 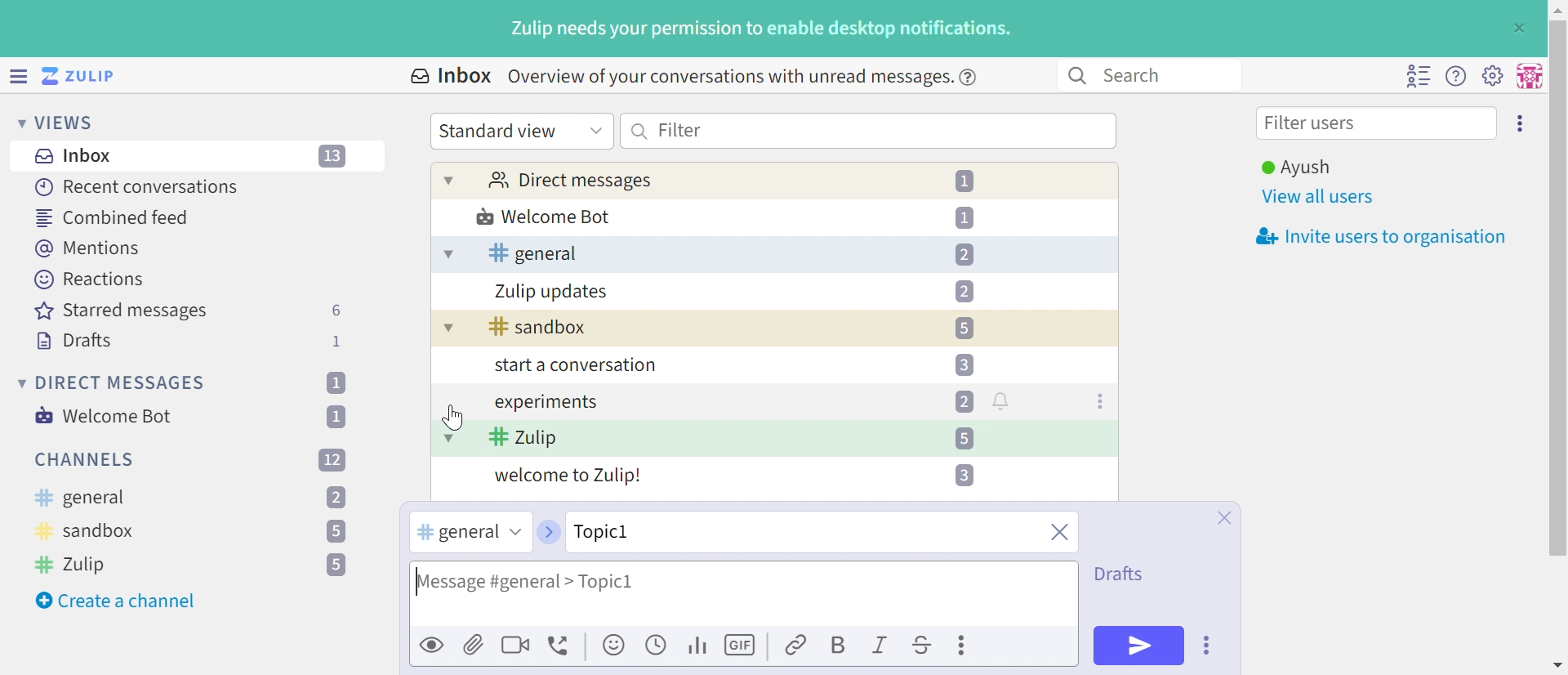 I want to click on Drop Down, so click(x=596, y=129).